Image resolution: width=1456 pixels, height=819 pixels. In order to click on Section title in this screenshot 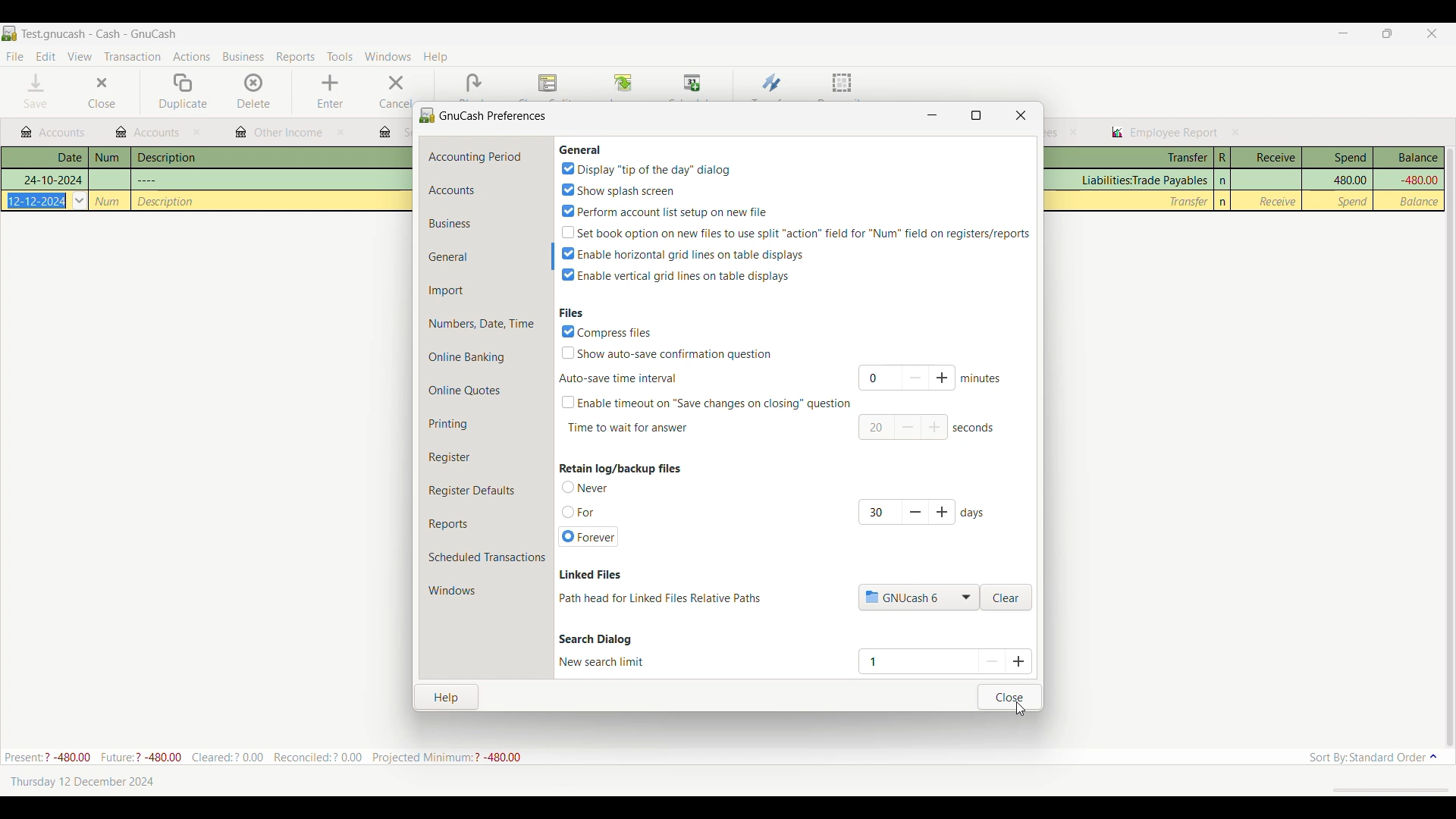, I will do `click(580, 149)`.